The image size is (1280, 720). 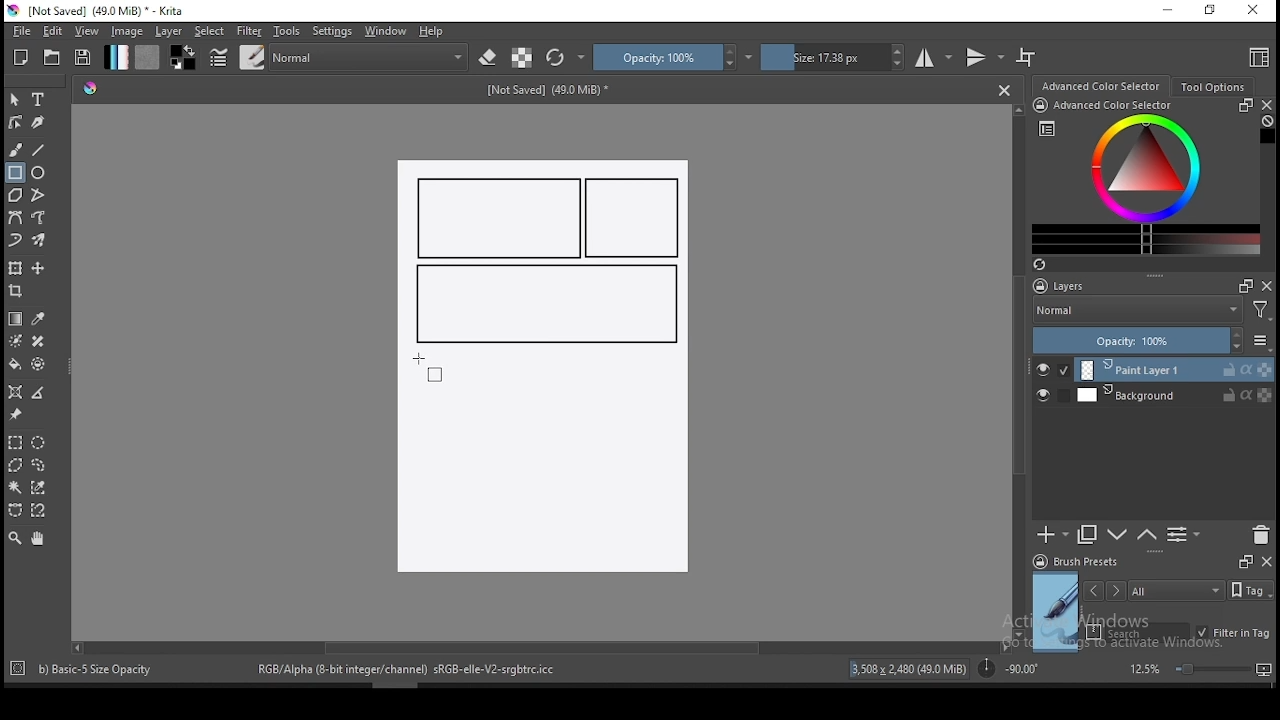 I want to click on set eraser mode, so click(x=490, y=58).